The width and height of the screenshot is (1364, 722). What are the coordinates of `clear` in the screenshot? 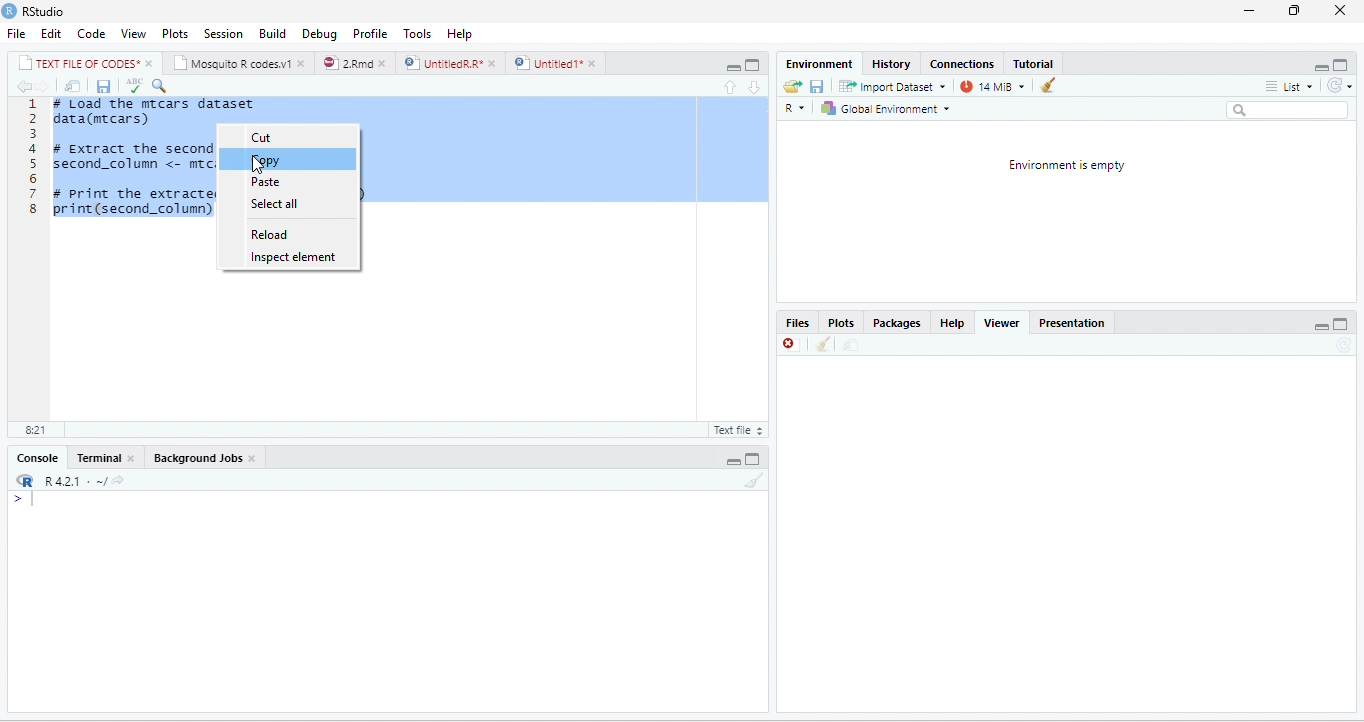 It's located at (754, 481).